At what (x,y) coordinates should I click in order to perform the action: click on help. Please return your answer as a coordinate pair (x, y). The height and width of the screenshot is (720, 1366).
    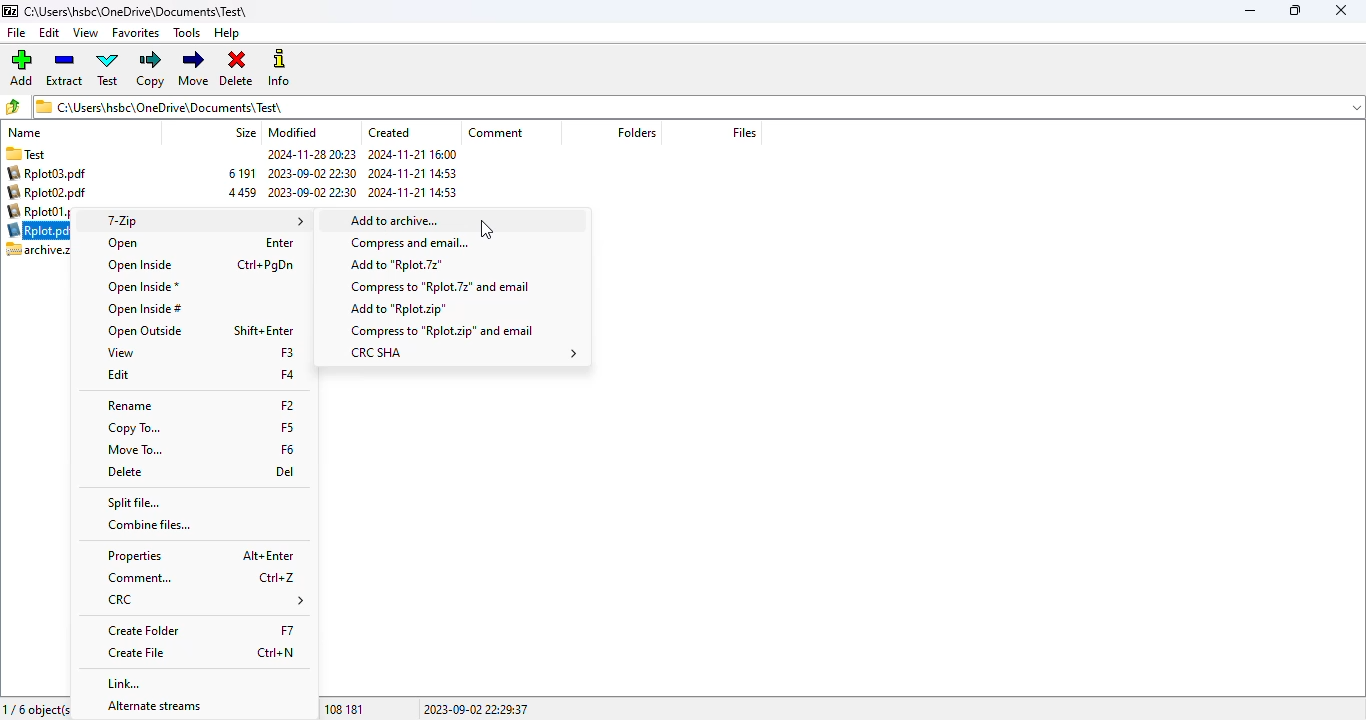
    Looking at the image, I should click on (227, 33).